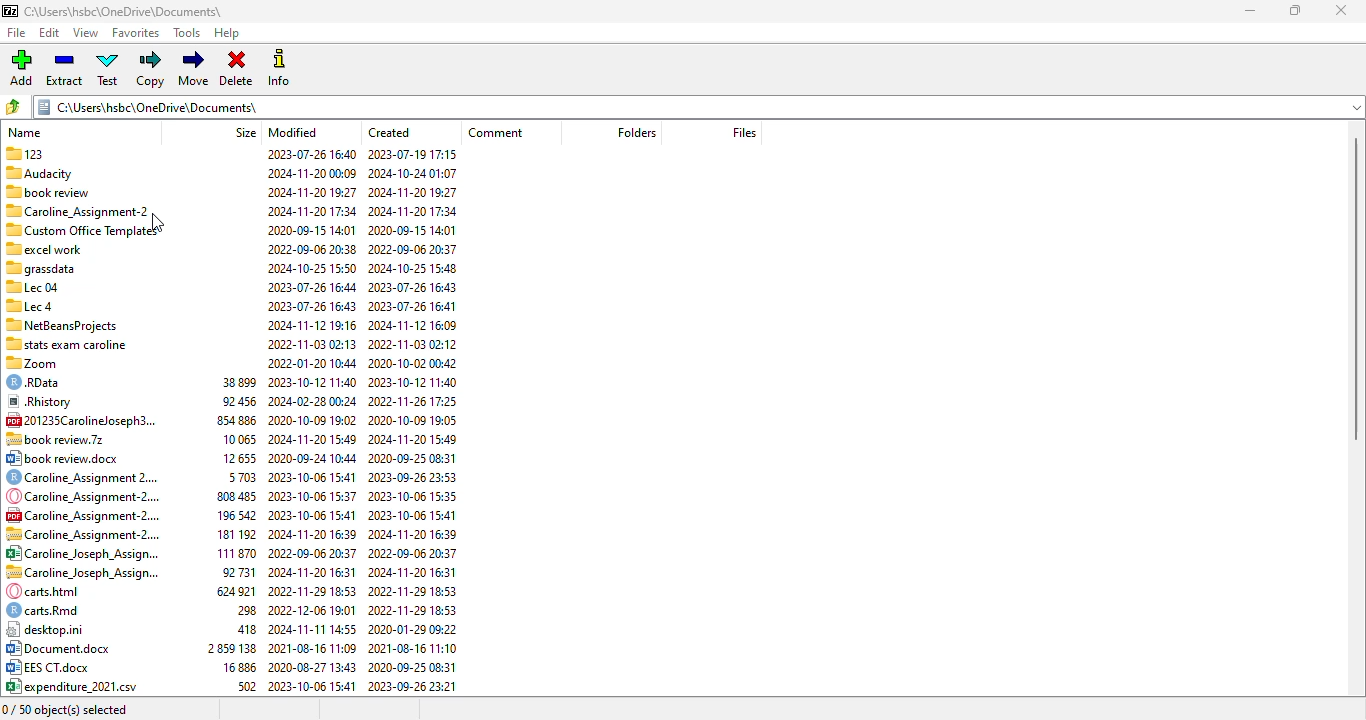 The height and width of the screenshot is (720, 1366). What do you see at coordinates (231, 552) in the screenshot?
I see `111870` at bounding box center [231, 552].